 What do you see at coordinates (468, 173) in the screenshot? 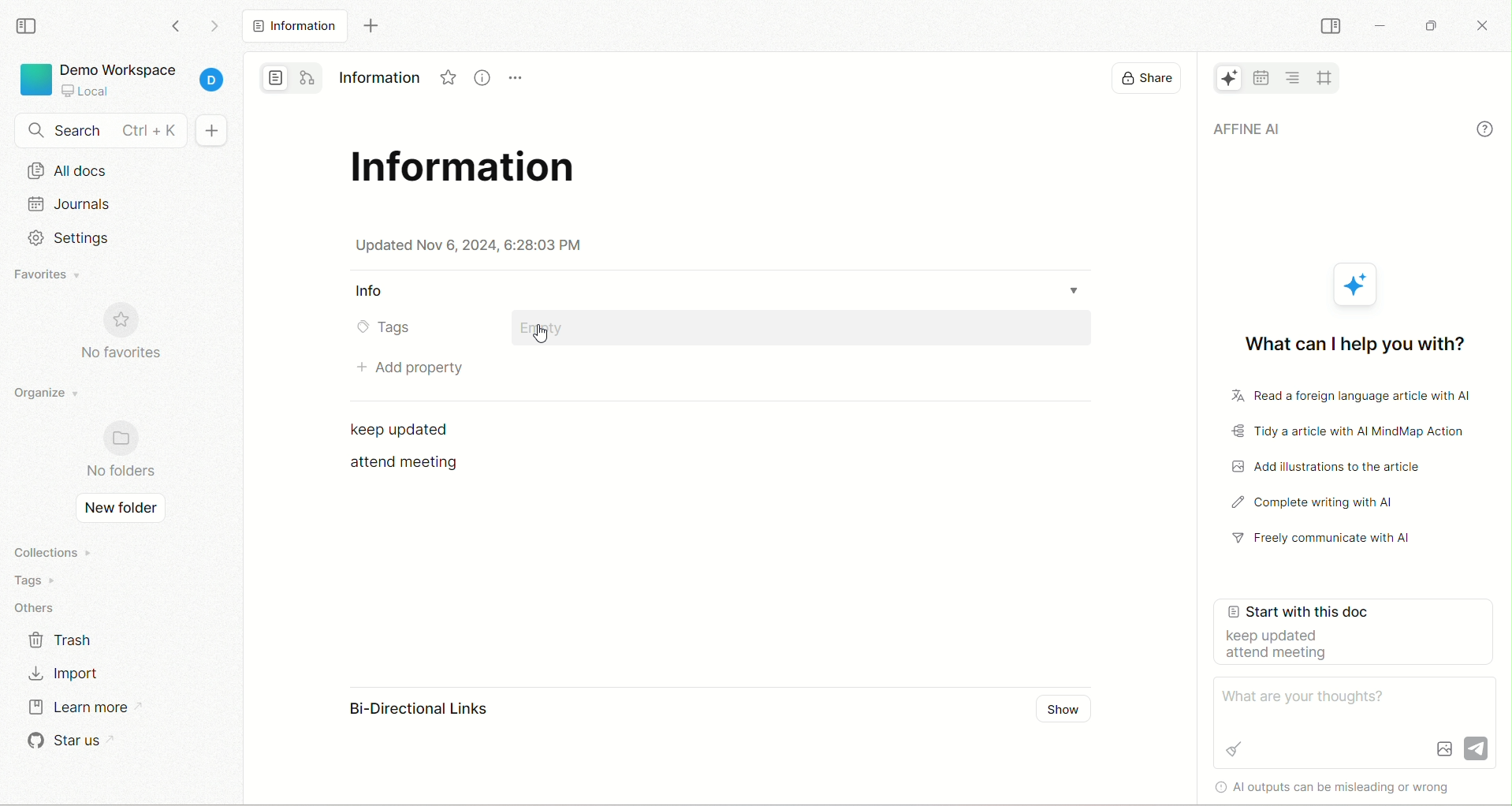
I see `title` at bounding box center [468, 173].